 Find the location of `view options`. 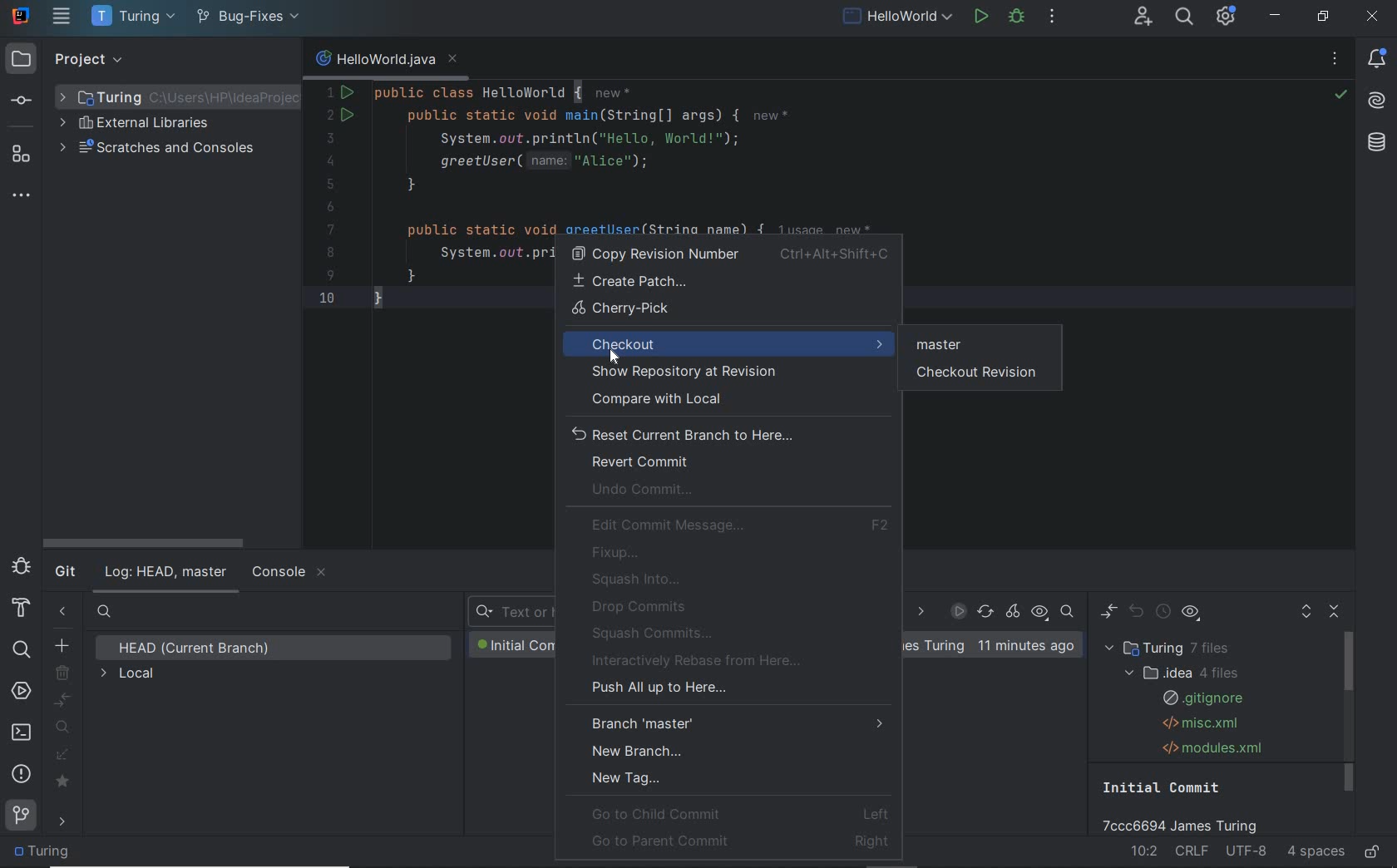

view options is located at coordinates (1039, 613).